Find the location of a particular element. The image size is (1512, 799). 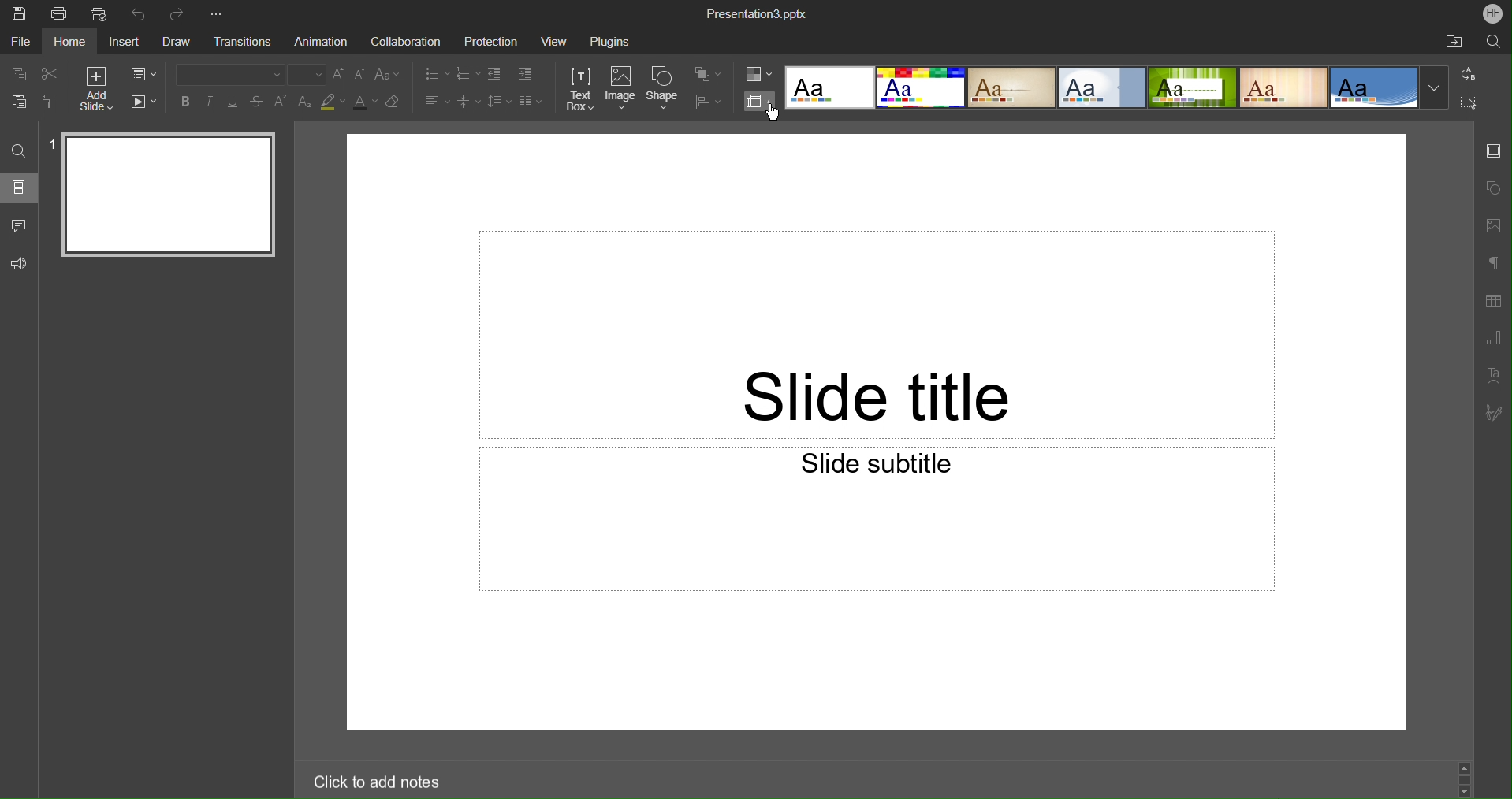

Text Case is located at coordinates (389, 75).